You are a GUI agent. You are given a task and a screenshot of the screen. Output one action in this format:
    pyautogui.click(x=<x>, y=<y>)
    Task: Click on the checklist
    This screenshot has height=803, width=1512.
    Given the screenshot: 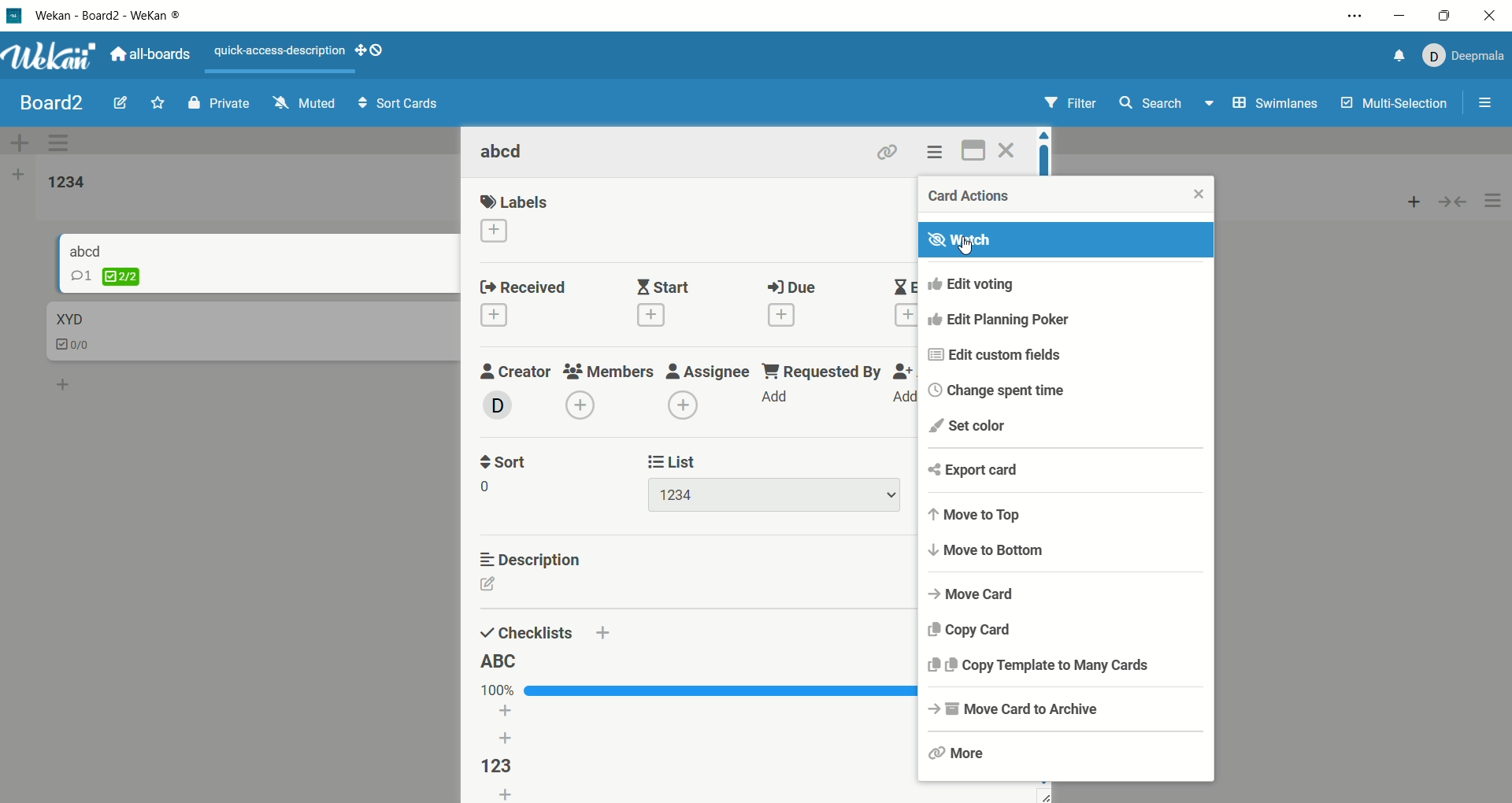 What is the action you would take?
    pyautogui.click(x=121, y=278)
    